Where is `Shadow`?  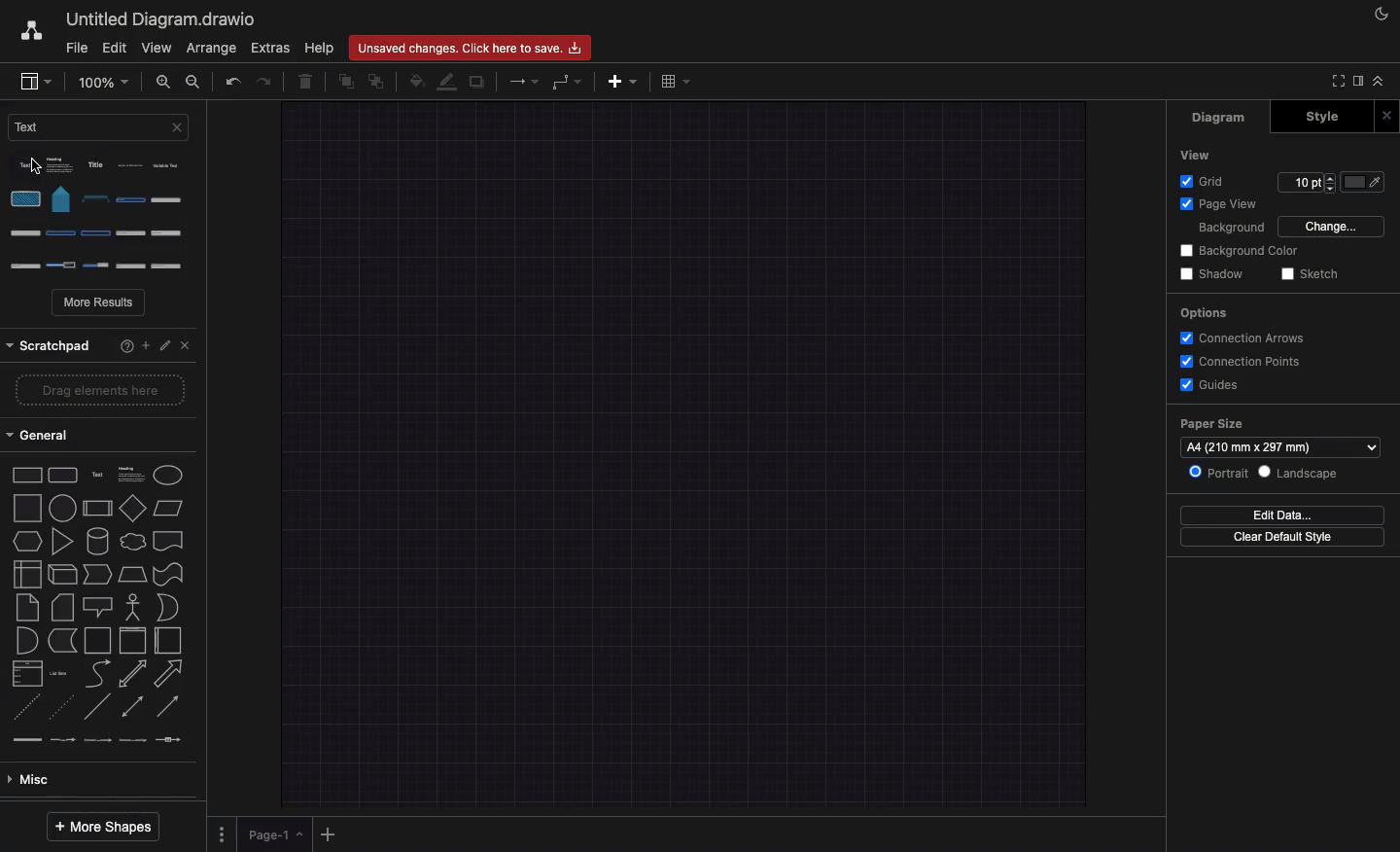
Shadow is located at coordinates (1215, 273).